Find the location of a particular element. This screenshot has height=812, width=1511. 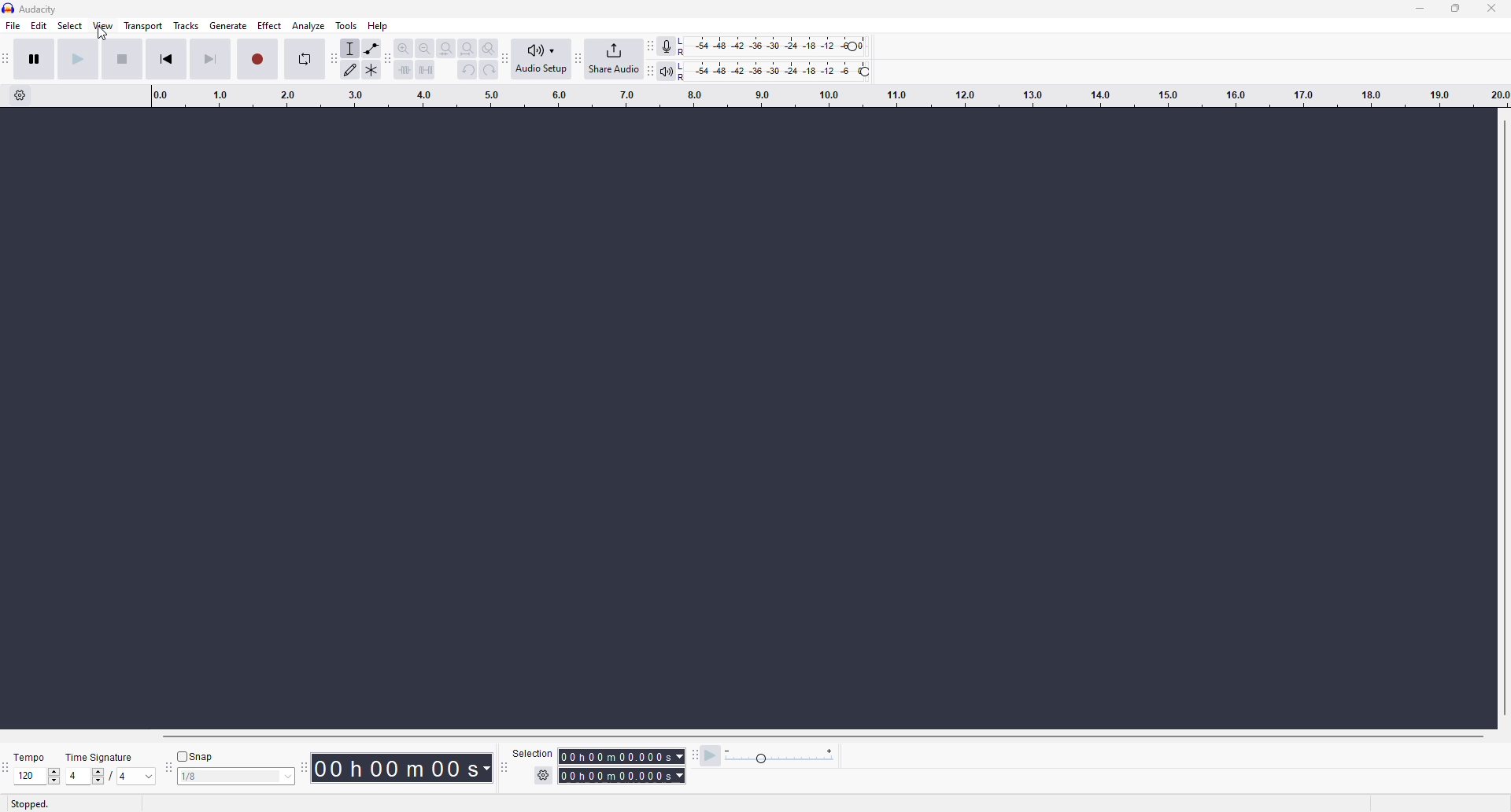

record is located at coordinates (257, 59).